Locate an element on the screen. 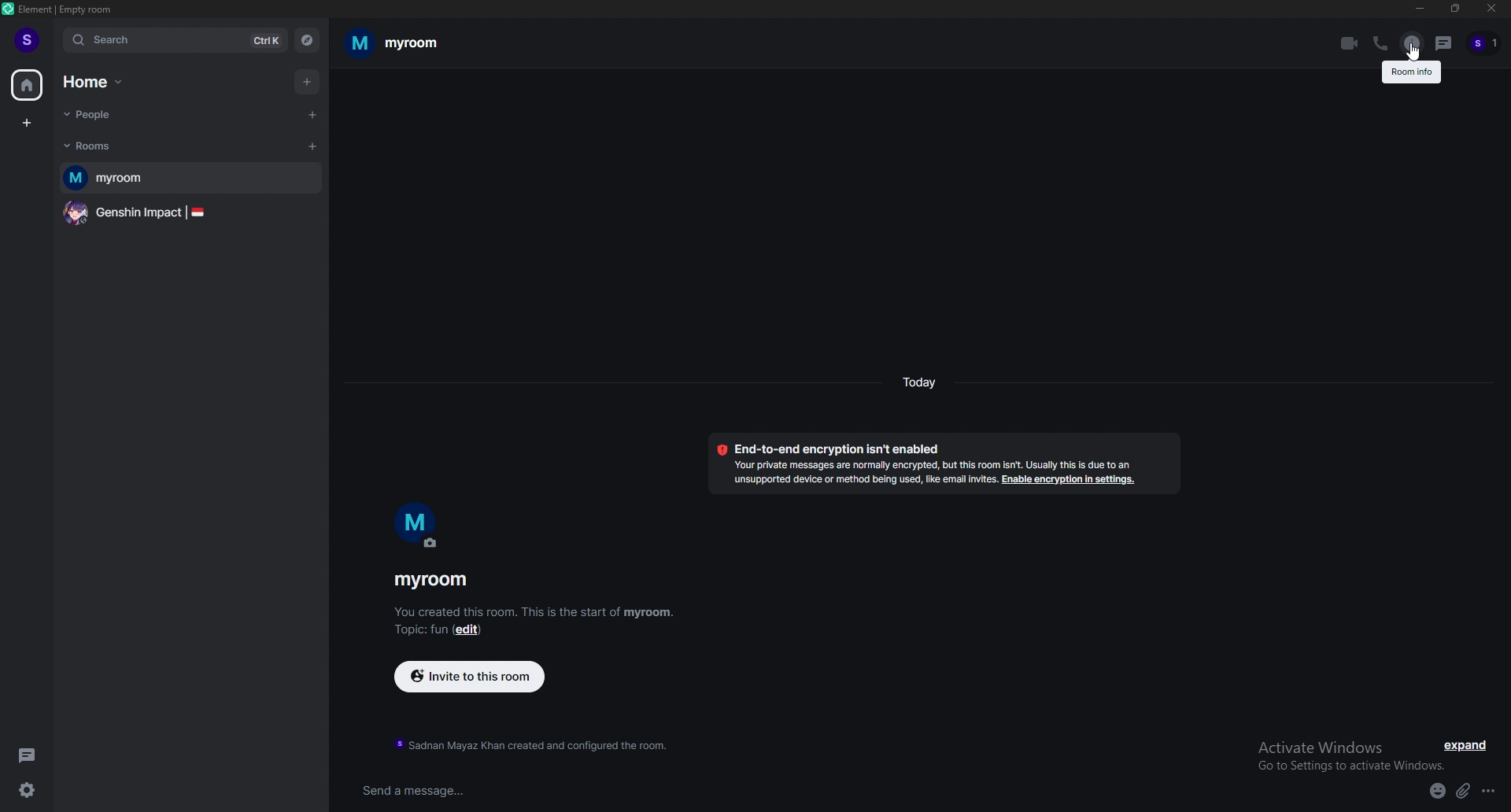 Image resolution: width=1511 pixels, height=812 pixels. element logo is located at coordinates (9, 9).